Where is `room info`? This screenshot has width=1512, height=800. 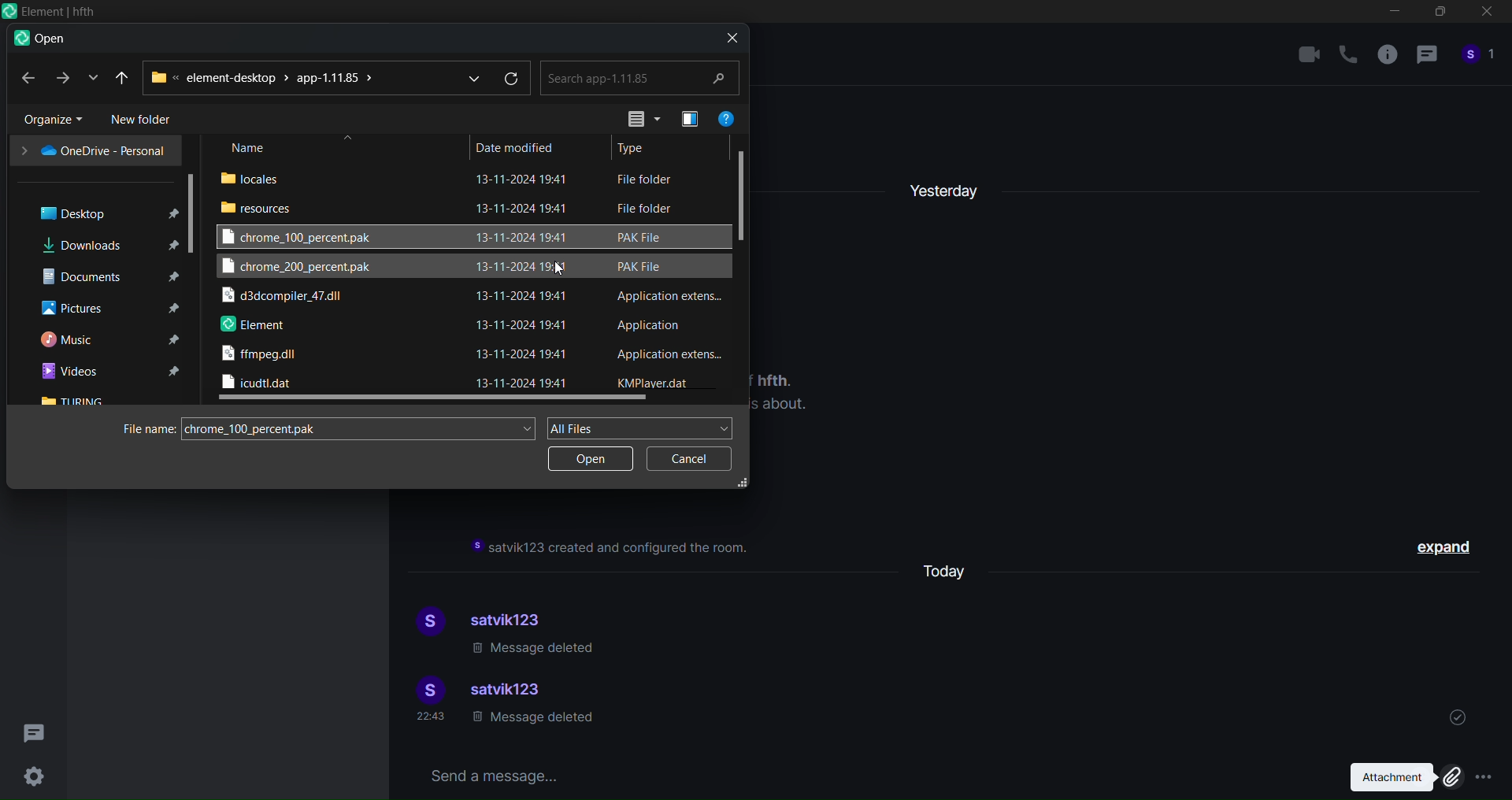 room info is located at coordinates (1385, 57).